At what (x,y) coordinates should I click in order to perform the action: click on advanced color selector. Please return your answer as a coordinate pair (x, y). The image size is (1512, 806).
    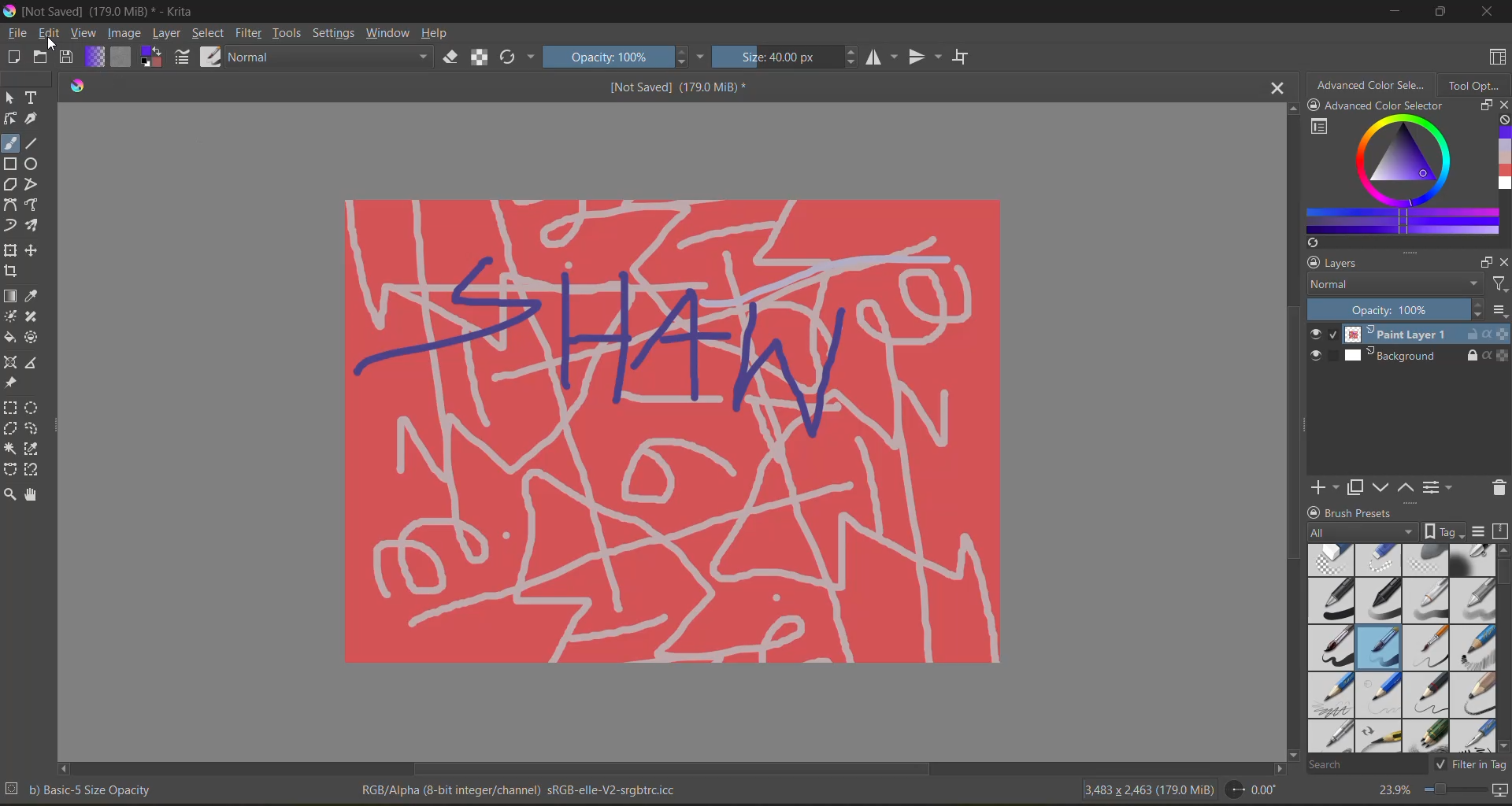
    Looking at the image, I should click on (1373, 85).